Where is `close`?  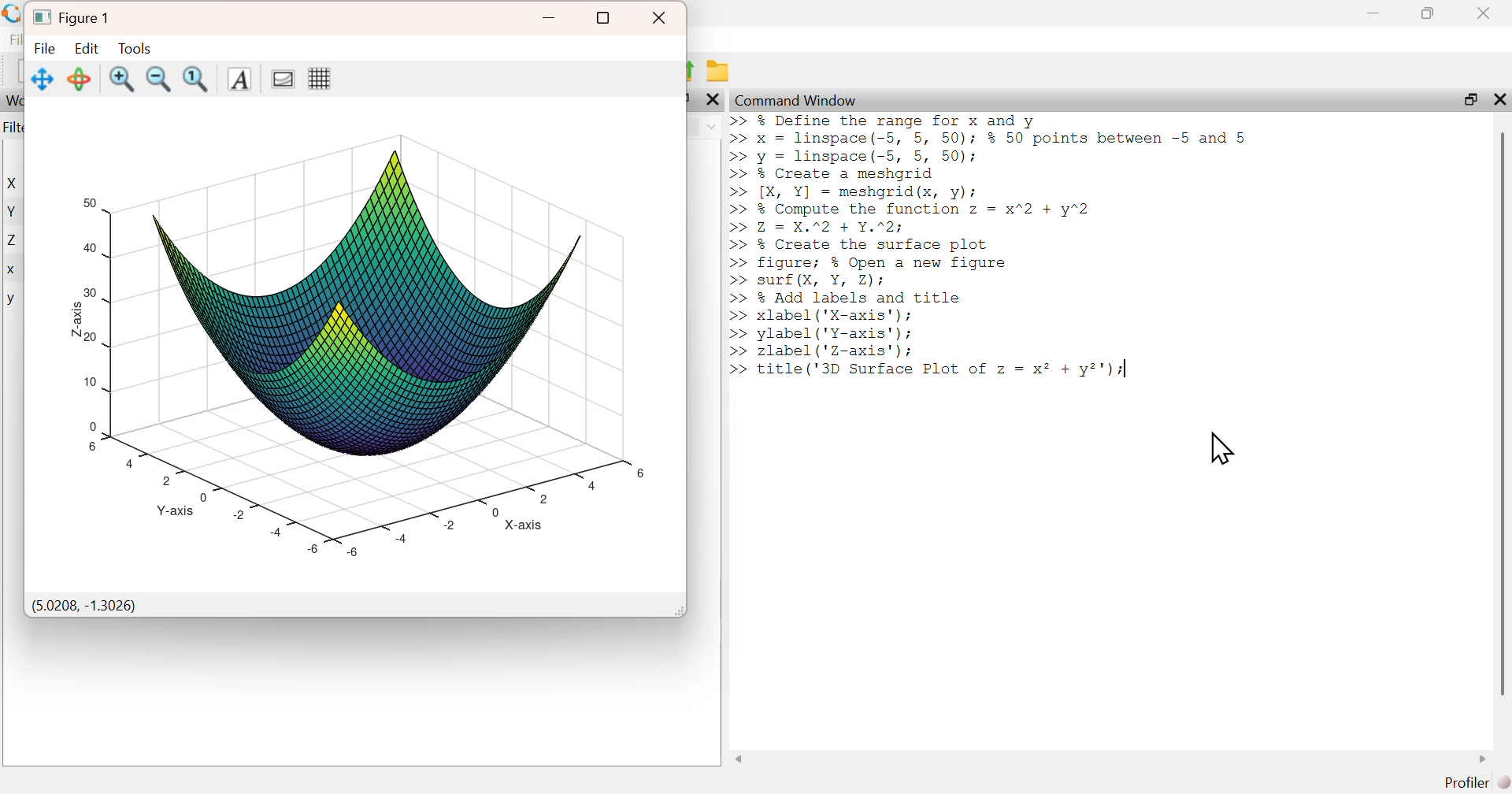
close is located at coordinates (1498, 98).